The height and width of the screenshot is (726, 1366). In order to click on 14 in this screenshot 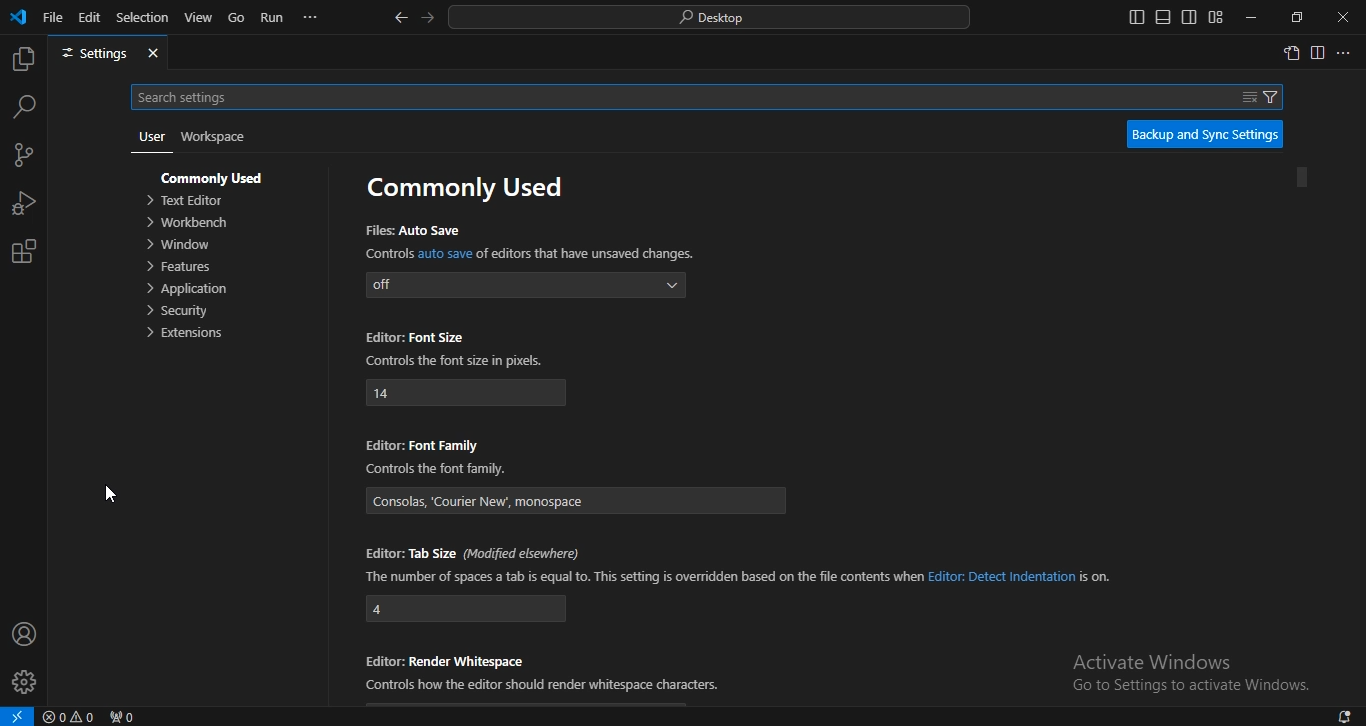, I will do `click(468, 393)`.